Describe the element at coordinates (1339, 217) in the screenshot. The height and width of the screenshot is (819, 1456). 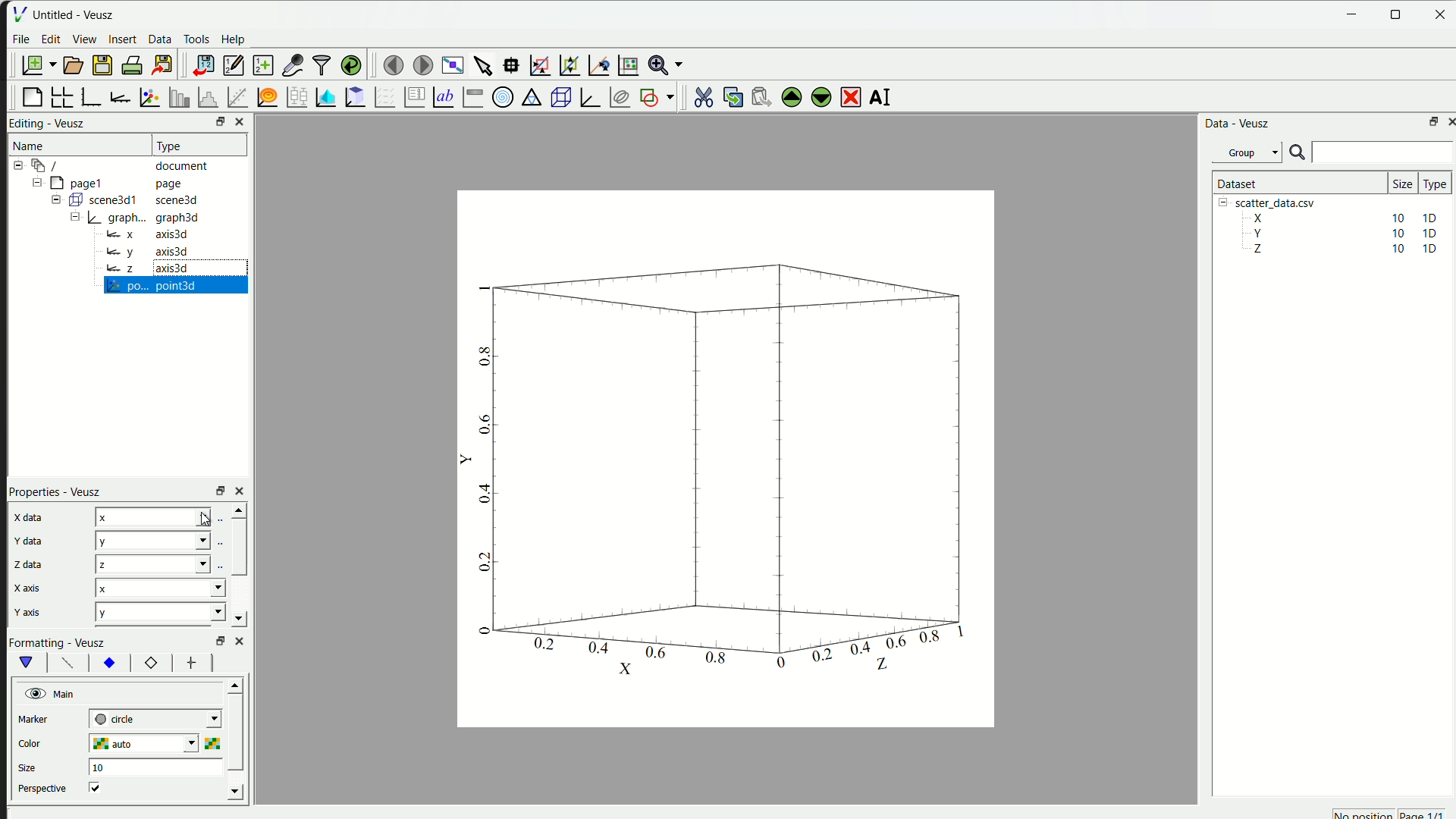
I see `X 10 10` at that location.